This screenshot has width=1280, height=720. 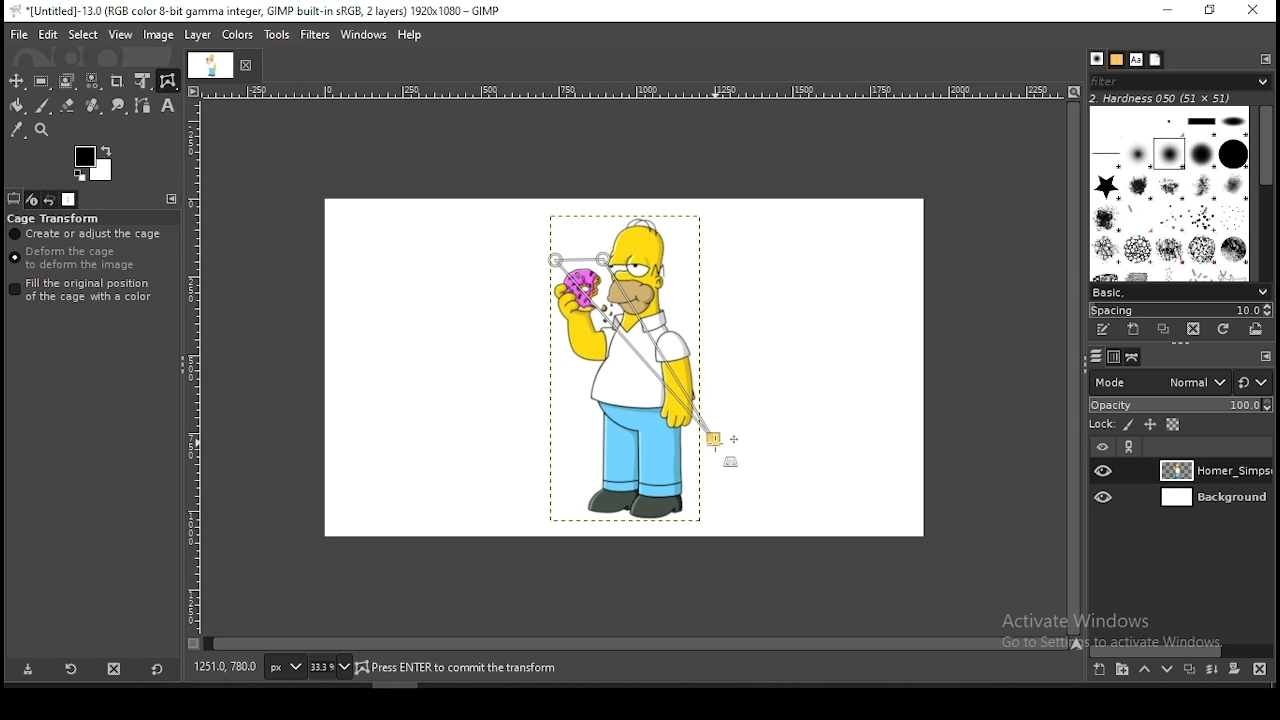 I want to click on restore, so click(x=1207, y=11).